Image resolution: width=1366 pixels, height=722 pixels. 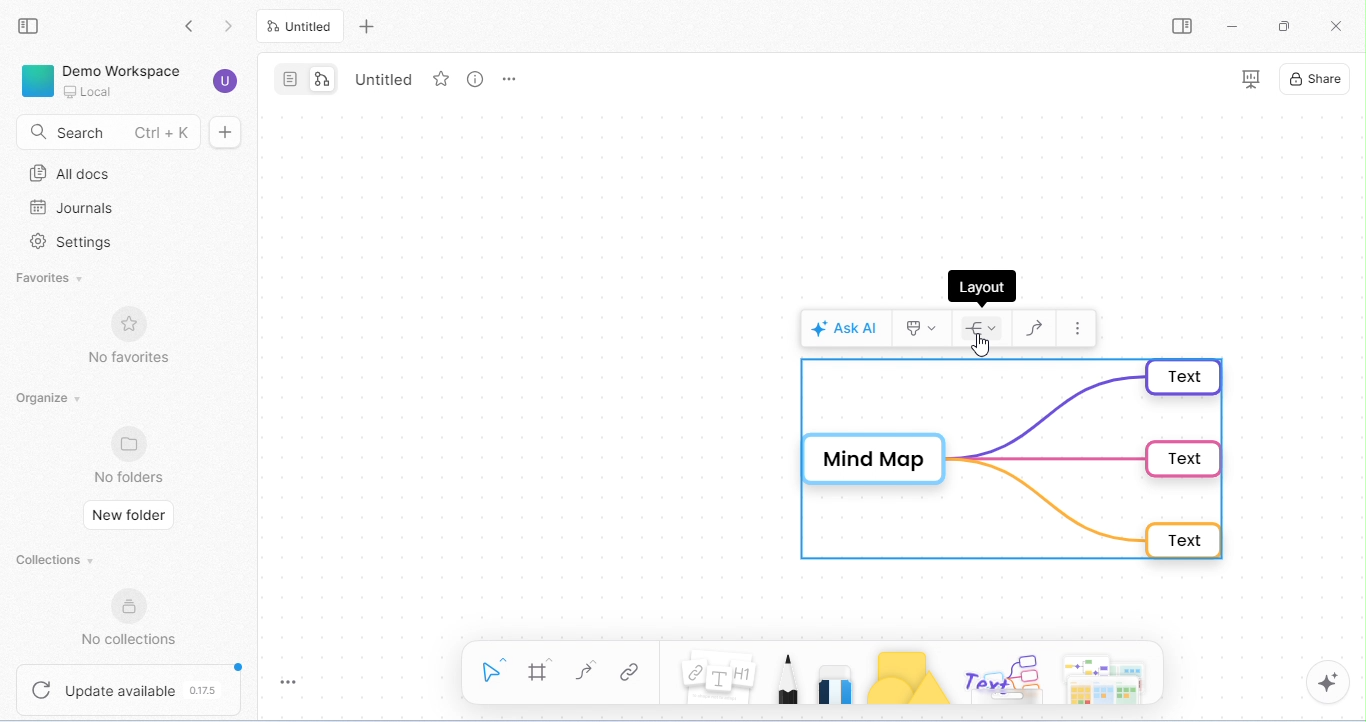 I want to click on shapes, so click(x=907, y=678).